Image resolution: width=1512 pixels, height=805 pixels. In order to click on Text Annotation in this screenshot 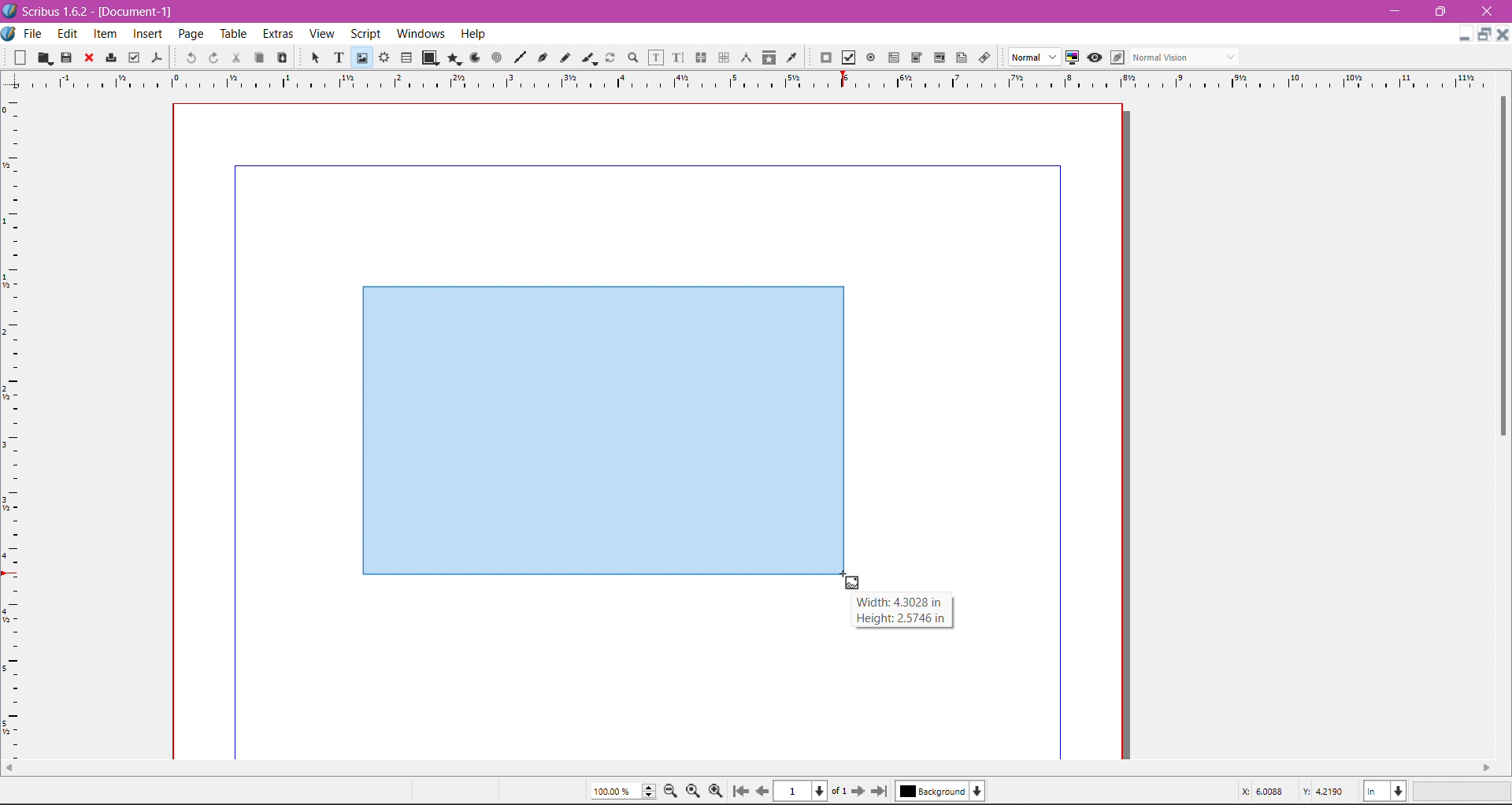, I will do `click(962, 57)`.